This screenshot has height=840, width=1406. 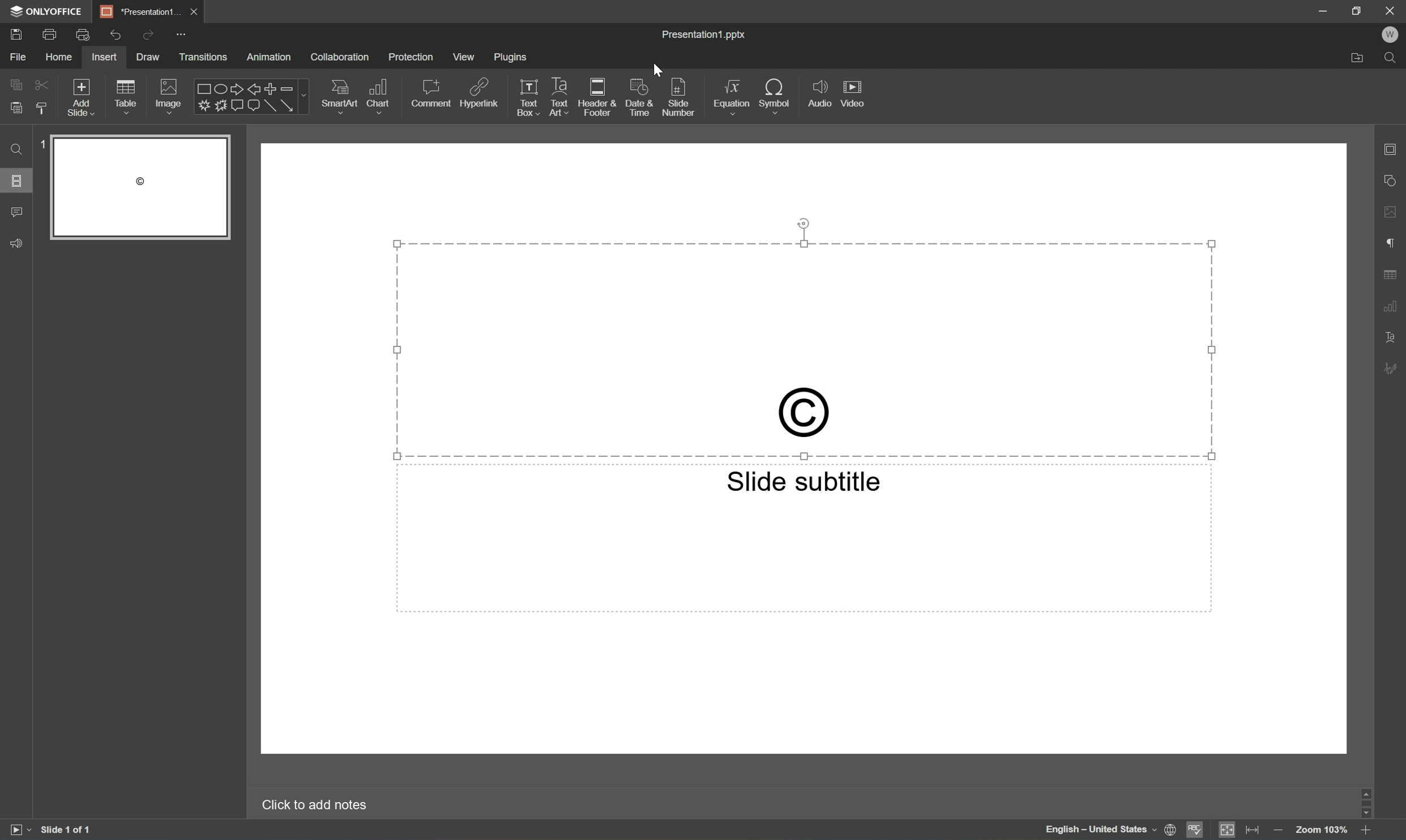 What do you see at coordinates (146, 36) in the screenshot?
I see `Redo` at bounding box center [146, 36].